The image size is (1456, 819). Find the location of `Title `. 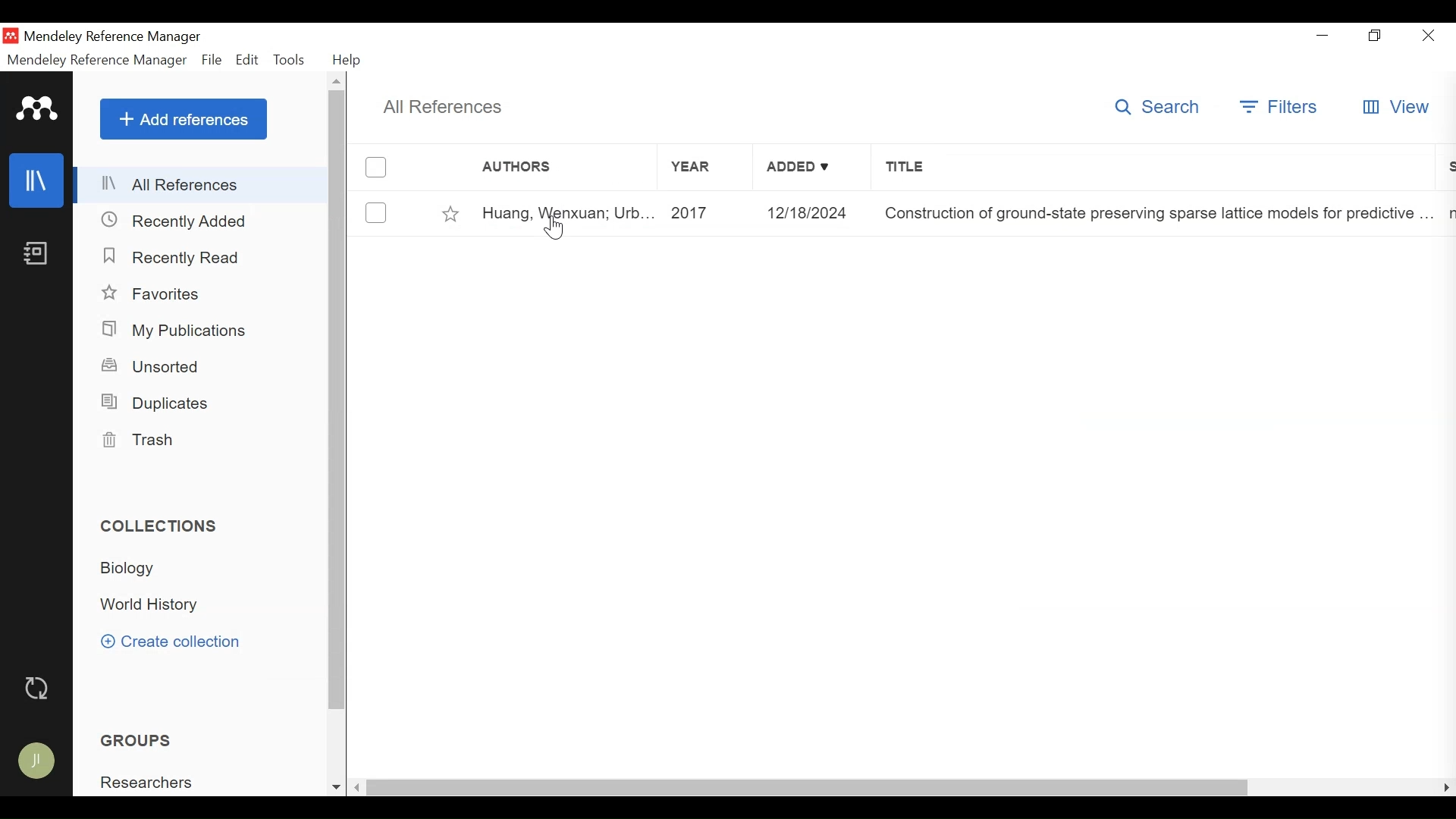

Title  is located at coordinates (1158, 168).